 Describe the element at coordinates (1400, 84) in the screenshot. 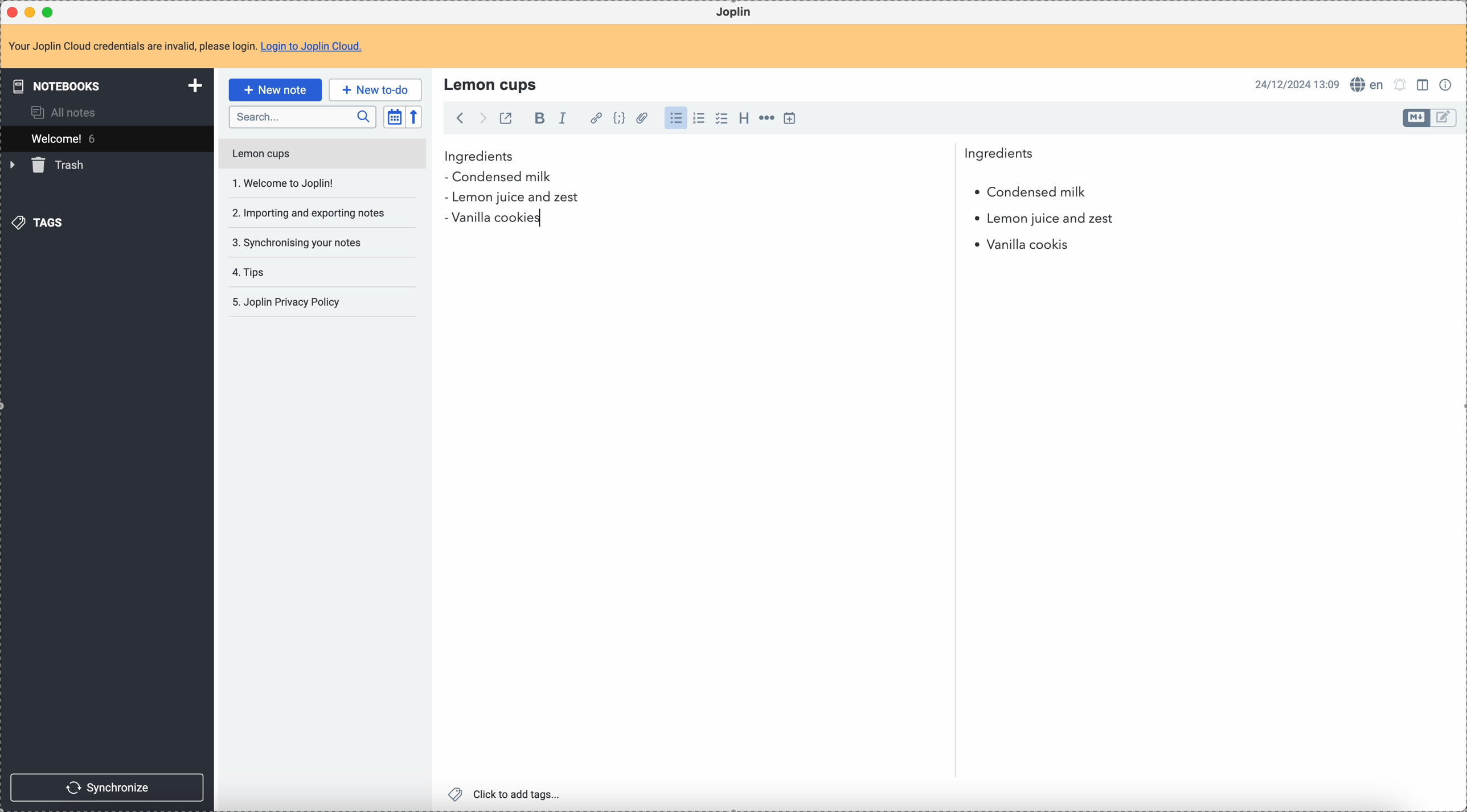

I see `set notifications` at that location.